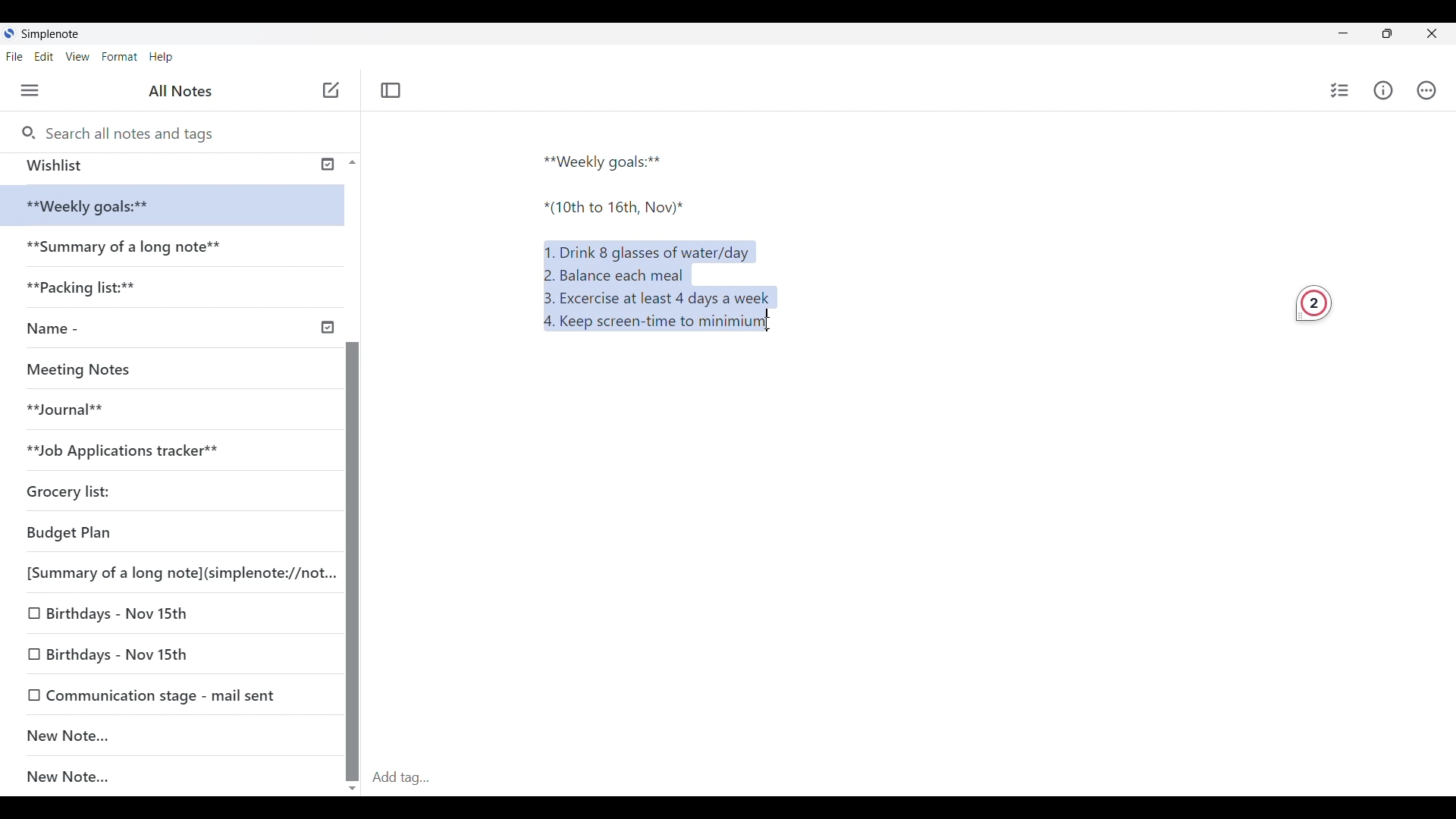 The height and width of the screenshot is (819, 1456). Describe the element at coordinates (910, 777) in the screenshot. I see `Add tag` at that location.